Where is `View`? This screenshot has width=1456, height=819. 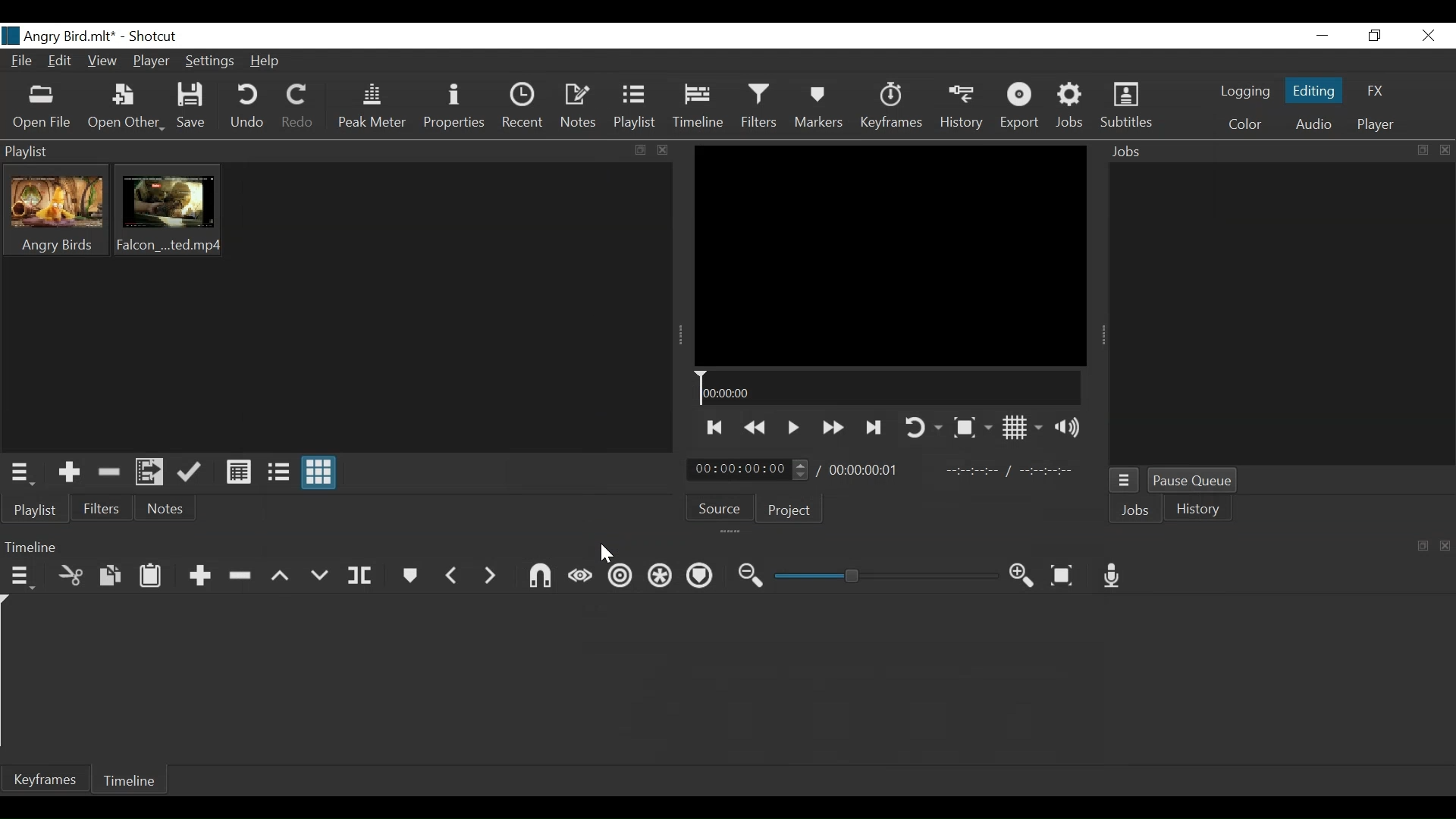
View is located at coordinates (104, 61).